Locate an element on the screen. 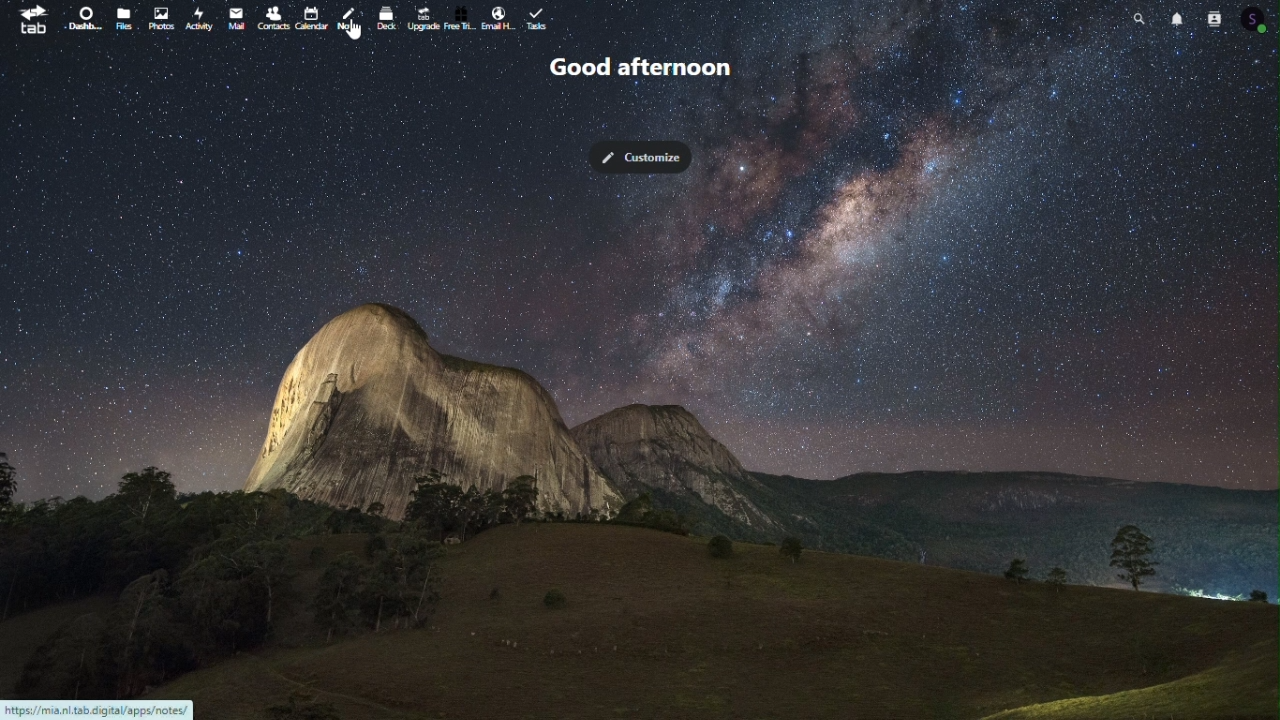 The image size is (1280, 720). cursor is located at coordinates (358, 34).